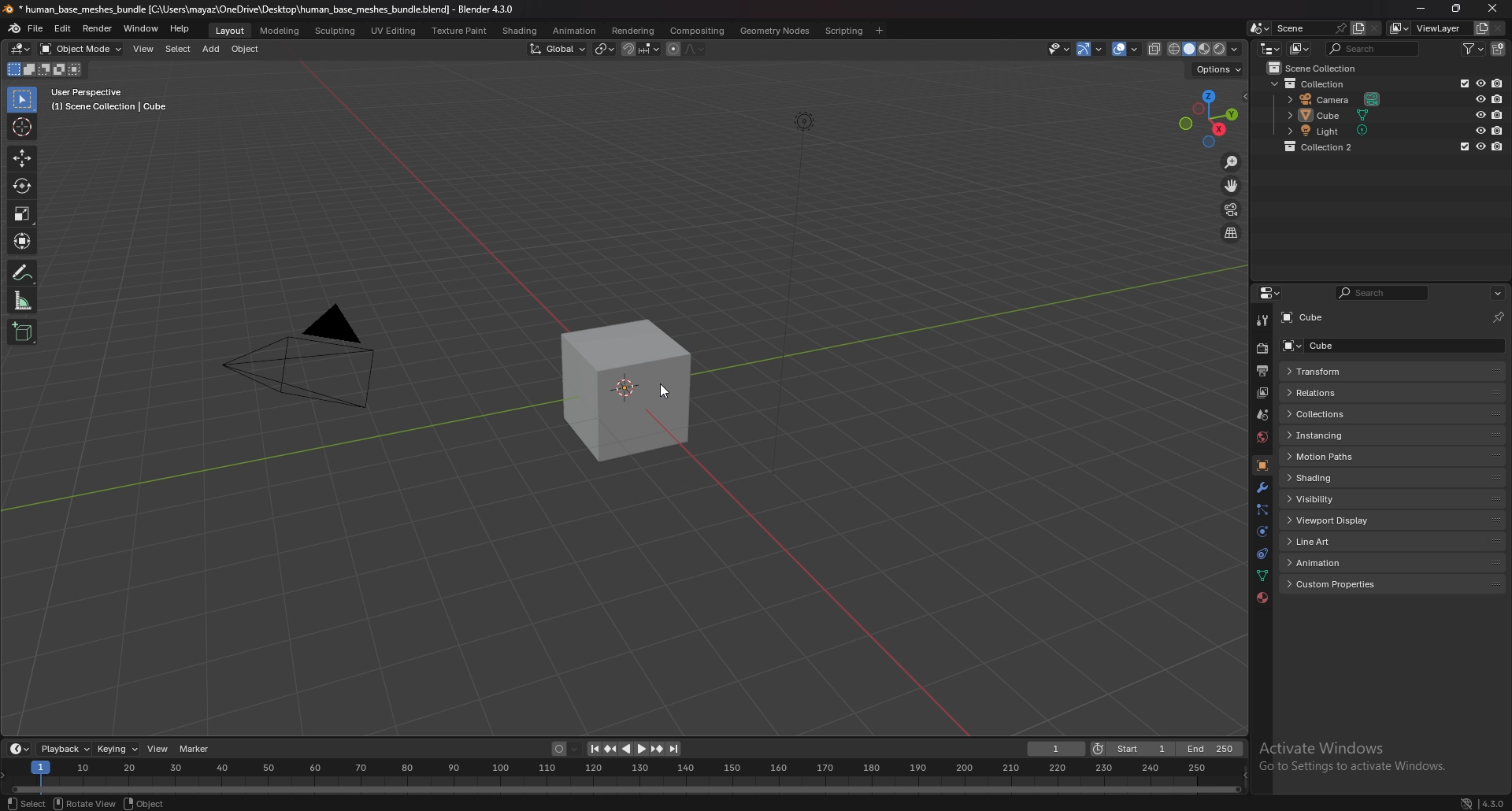  Describe the element at coordinates (1340, 115) in the screenshot. I see `cube` at that location.